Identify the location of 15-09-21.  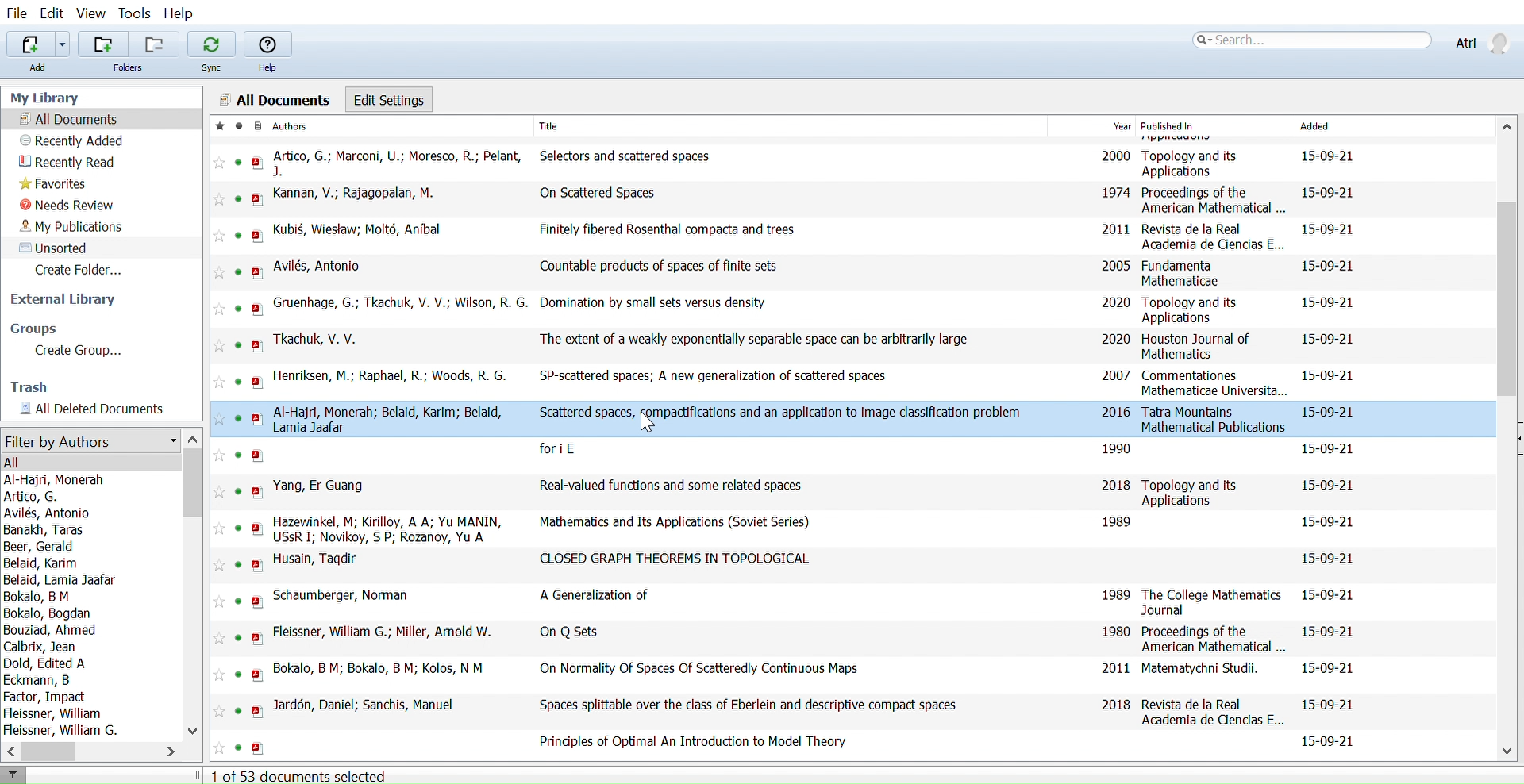
(1330, 303).